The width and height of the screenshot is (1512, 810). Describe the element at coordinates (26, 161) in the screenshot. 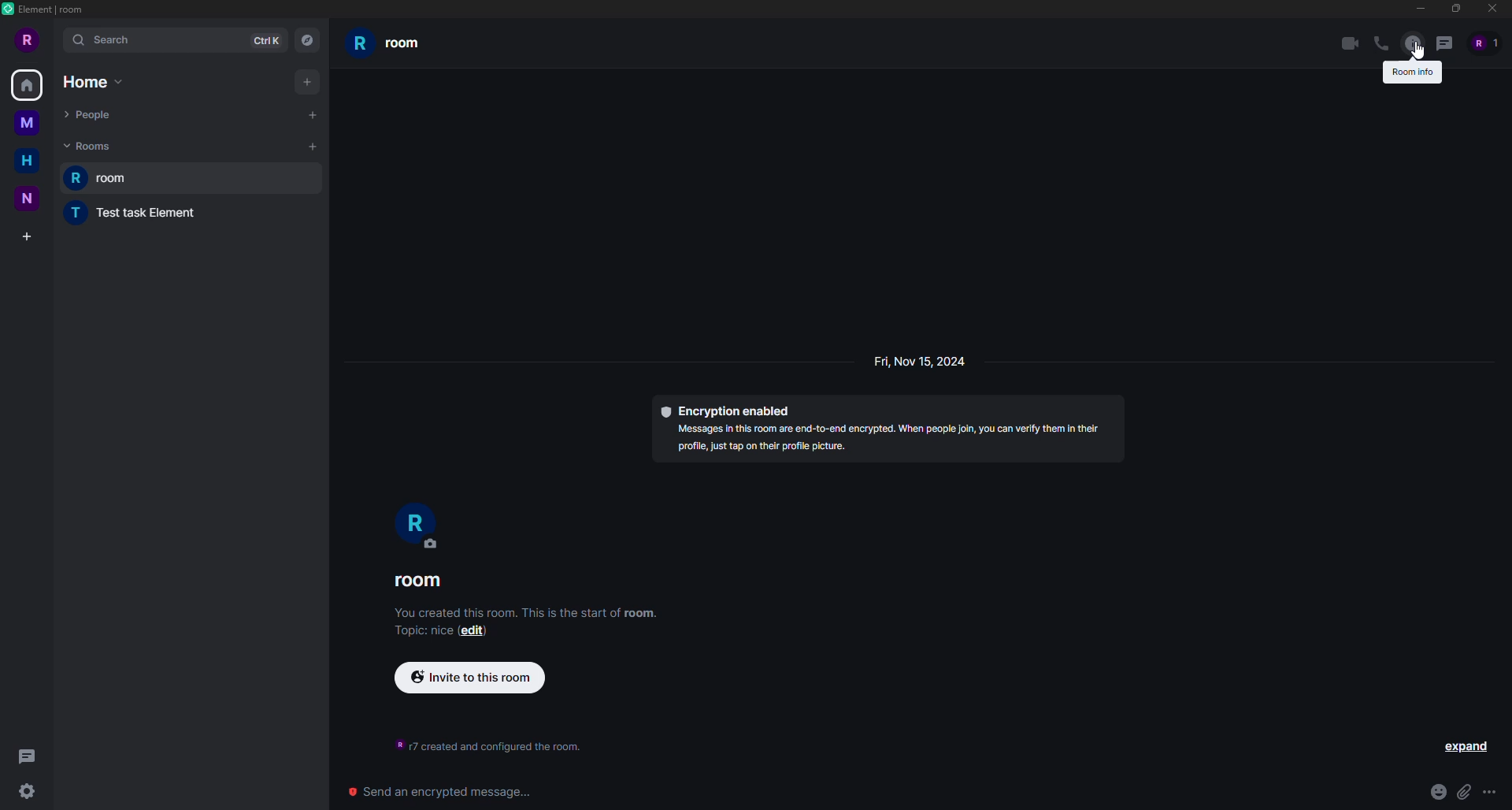

I see `H` at that location.